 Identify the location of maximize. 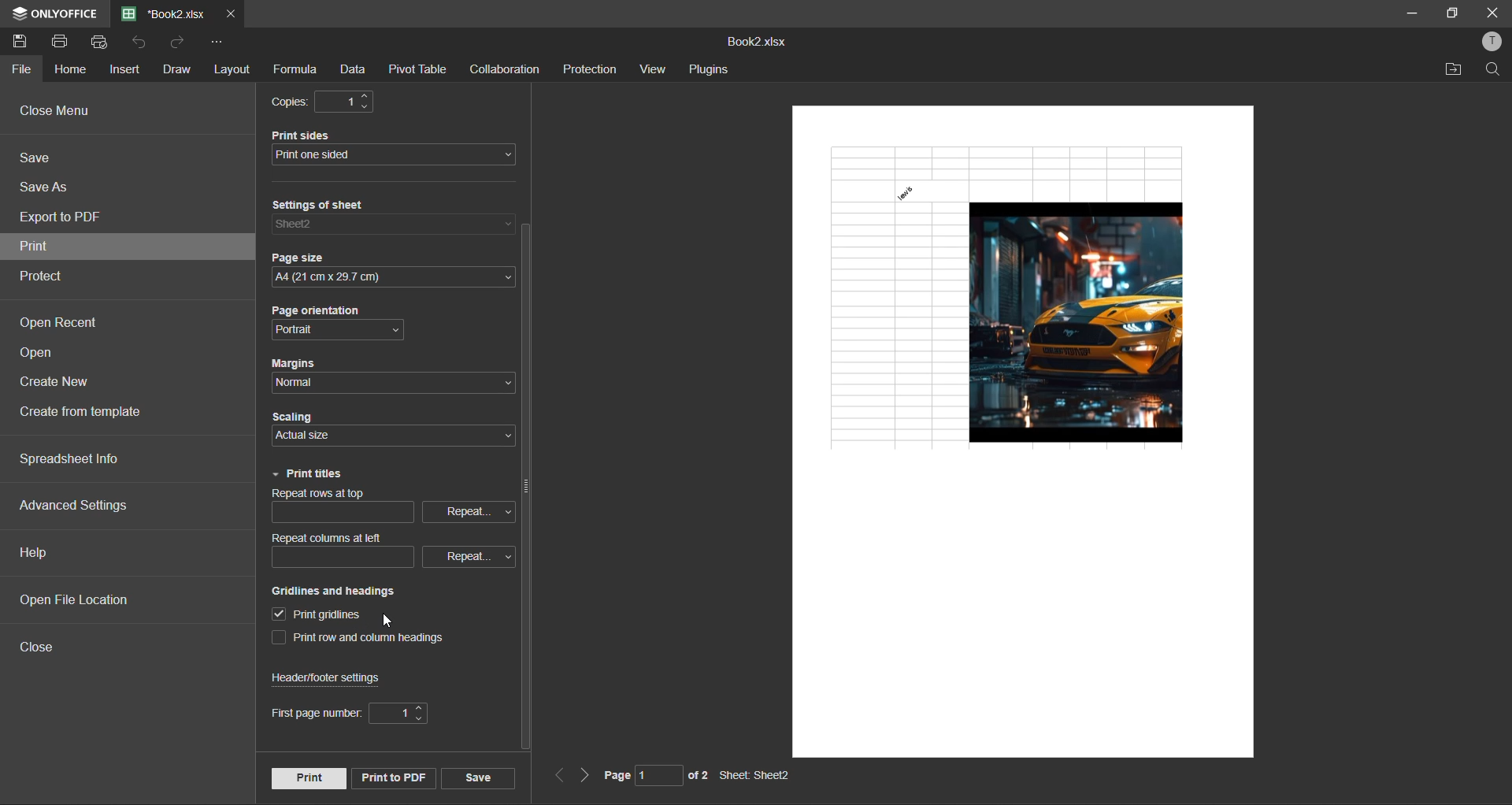
(1451, 12).